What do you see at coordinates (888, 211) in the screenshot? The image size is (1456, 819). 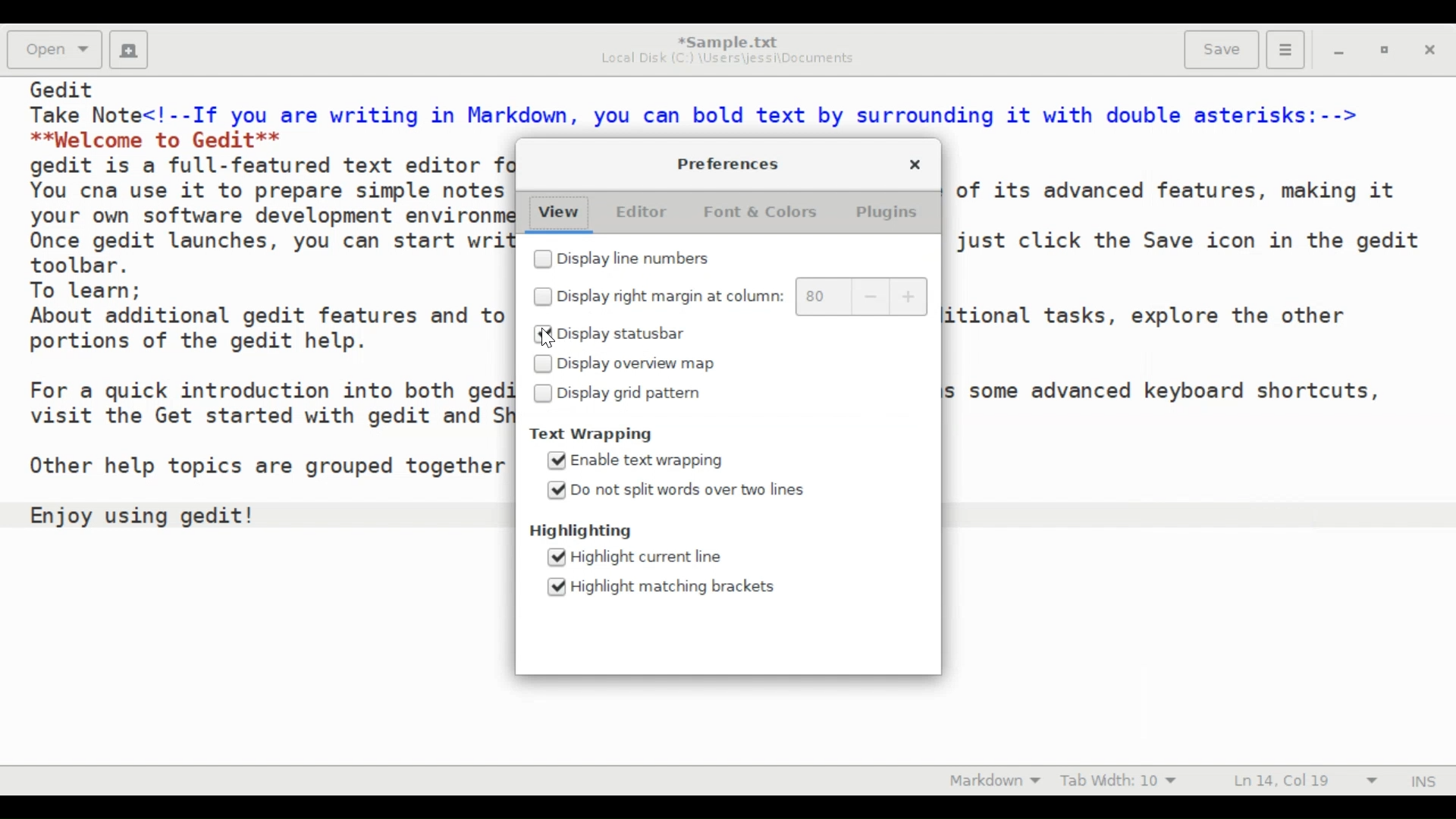 I see `Plugins` at bounding box center [888, 211].